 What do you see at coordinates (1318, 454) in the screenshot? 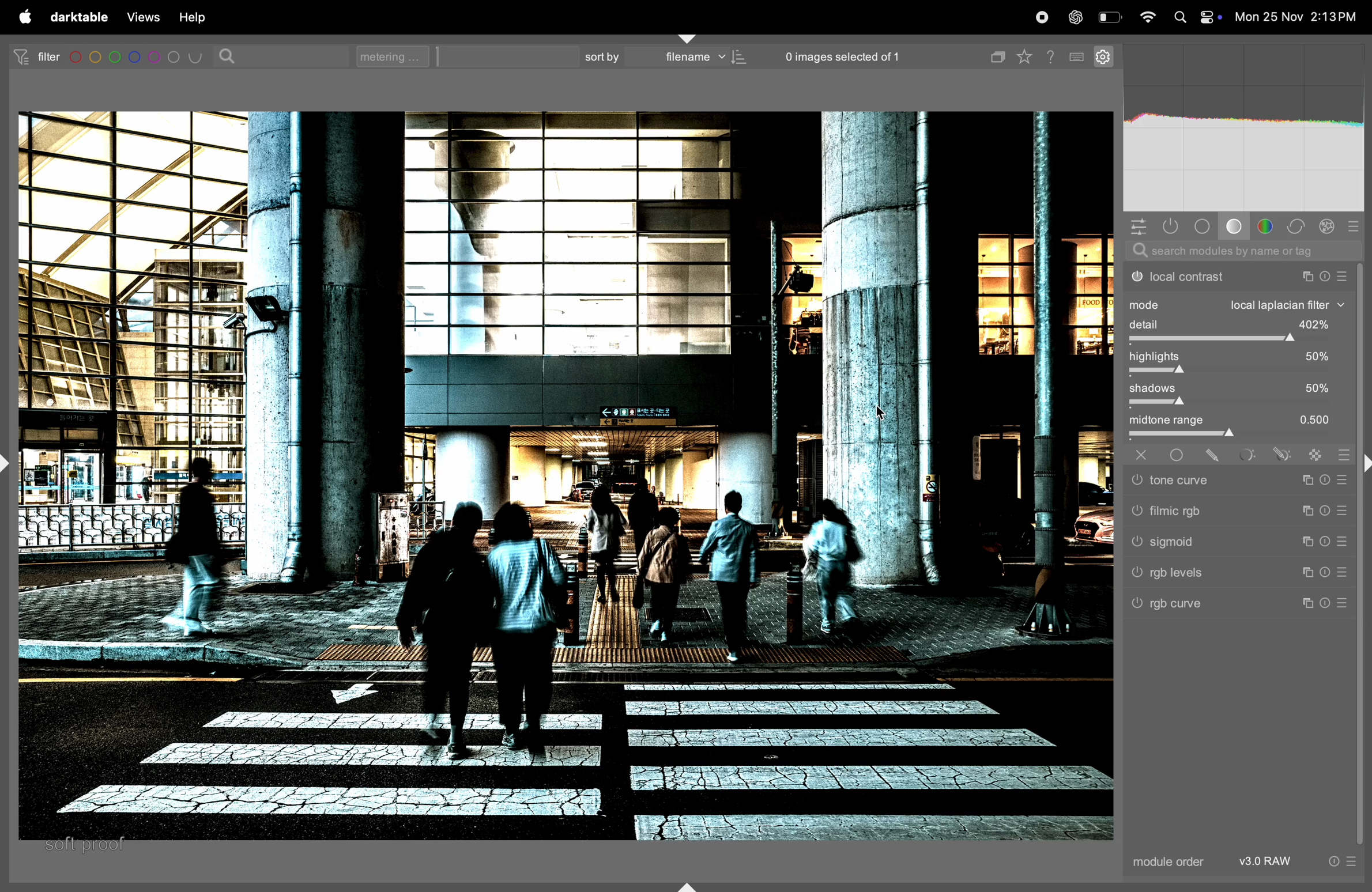
I see `raster mask` at bounding box center [1318, 454].